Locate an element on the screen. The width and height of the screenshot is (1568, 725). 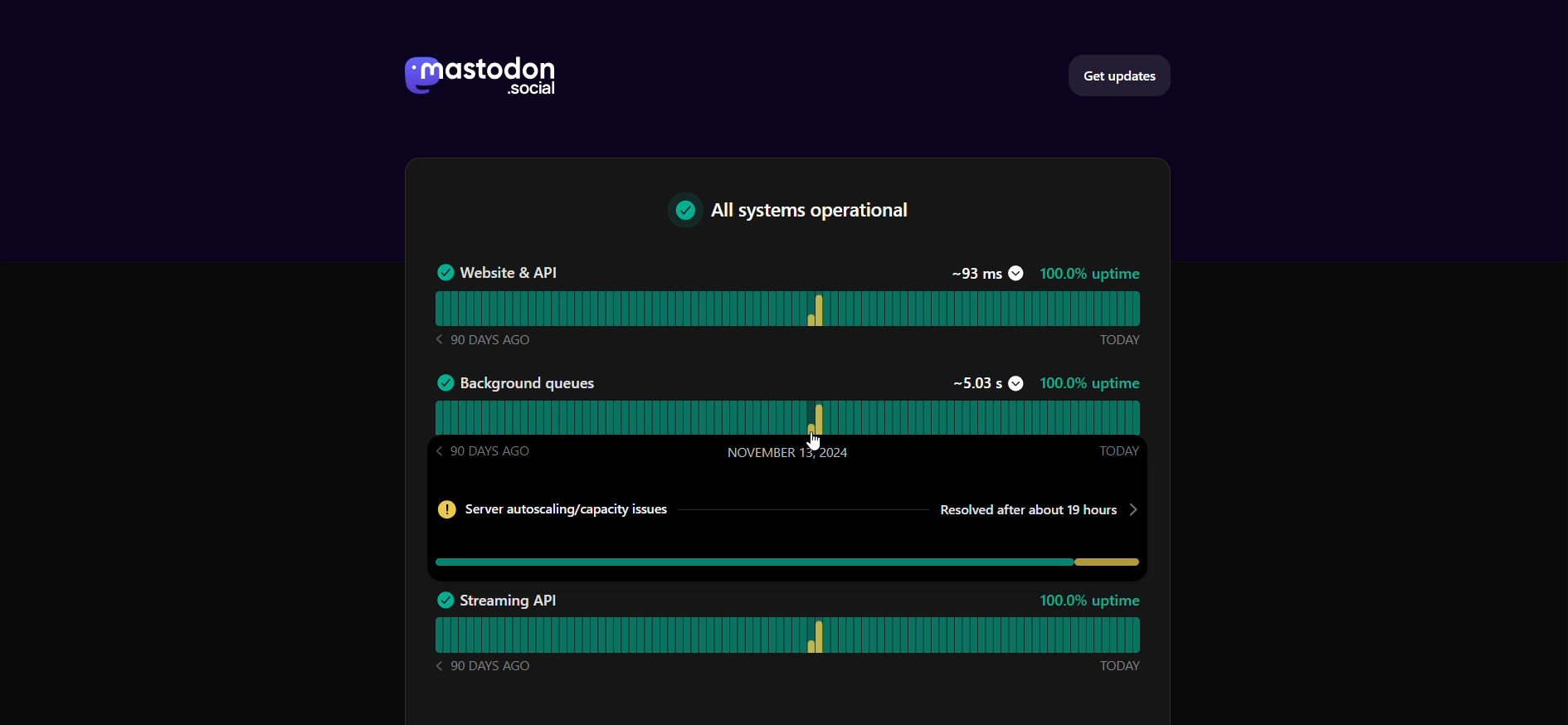
mastodon social is located at coordinates (490, 73).